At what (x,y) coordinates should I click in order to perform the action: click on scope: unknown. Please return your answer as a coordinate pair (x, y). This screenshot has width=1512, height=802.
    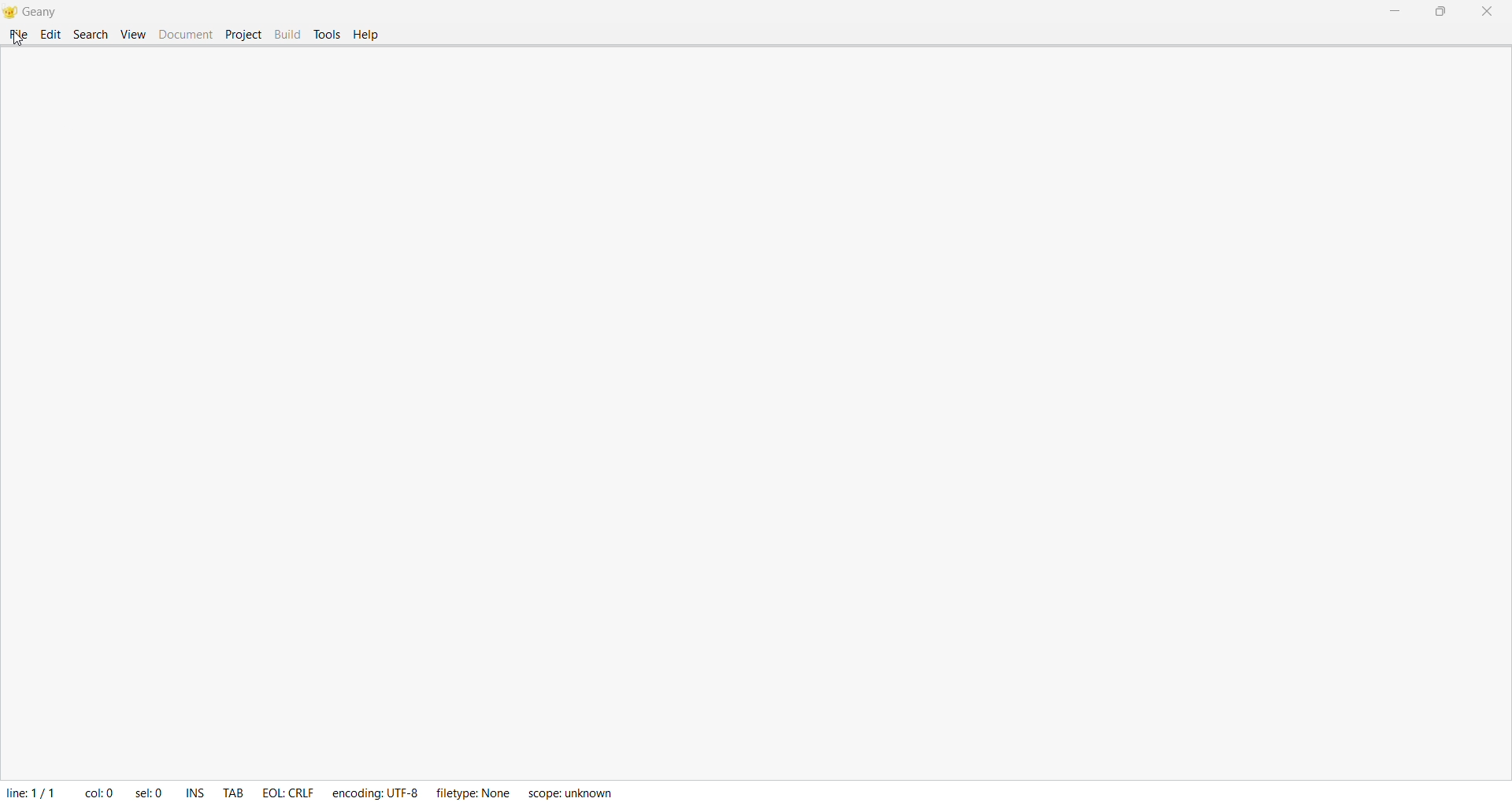
    Looking at the image, I should click on (573, 793).